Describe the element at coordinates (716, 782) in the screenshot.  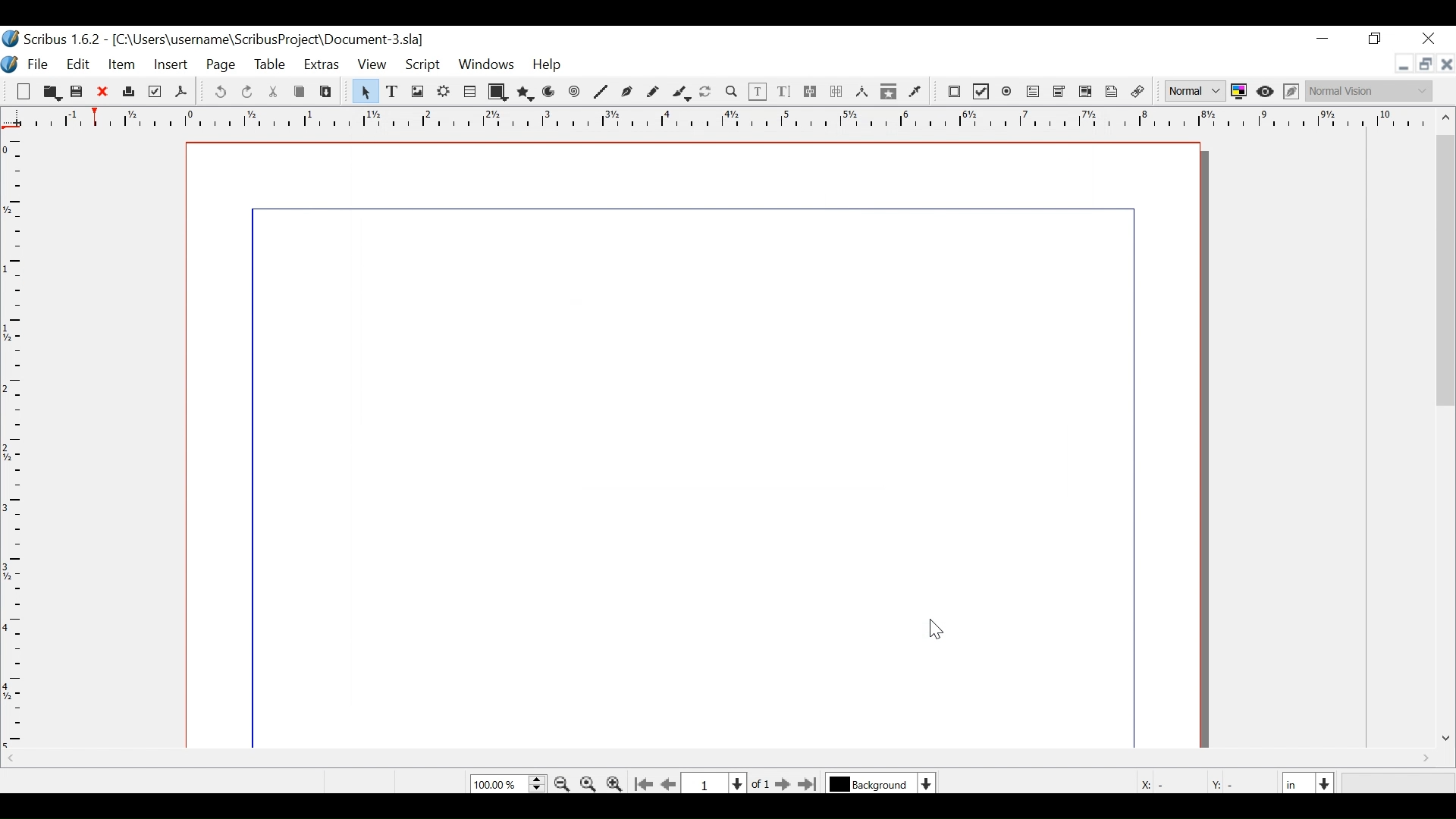
I see `Current Page` at that location.